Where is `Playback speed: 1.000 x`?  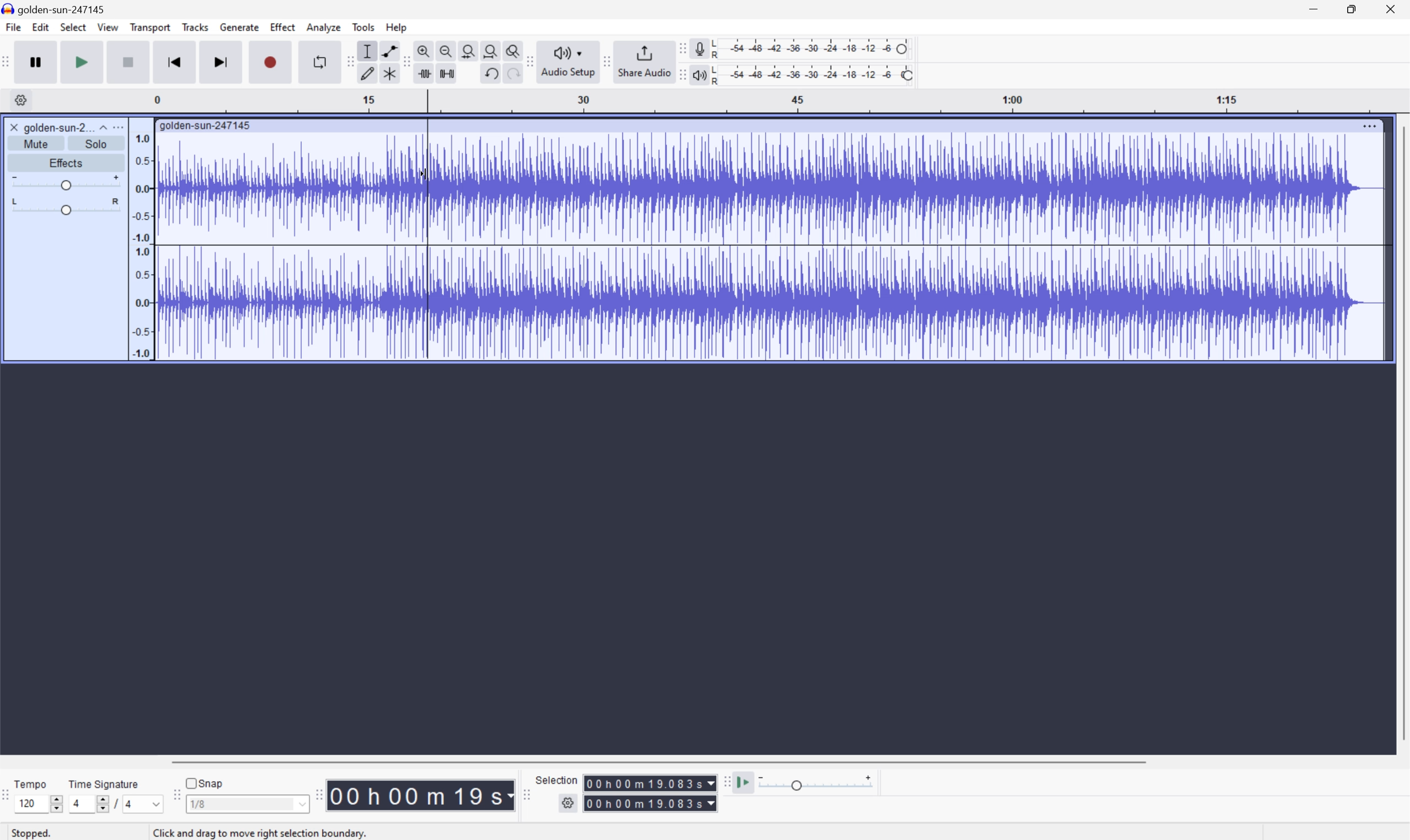
Playback speed: 1.000 x is located at coordinates (818, 783).